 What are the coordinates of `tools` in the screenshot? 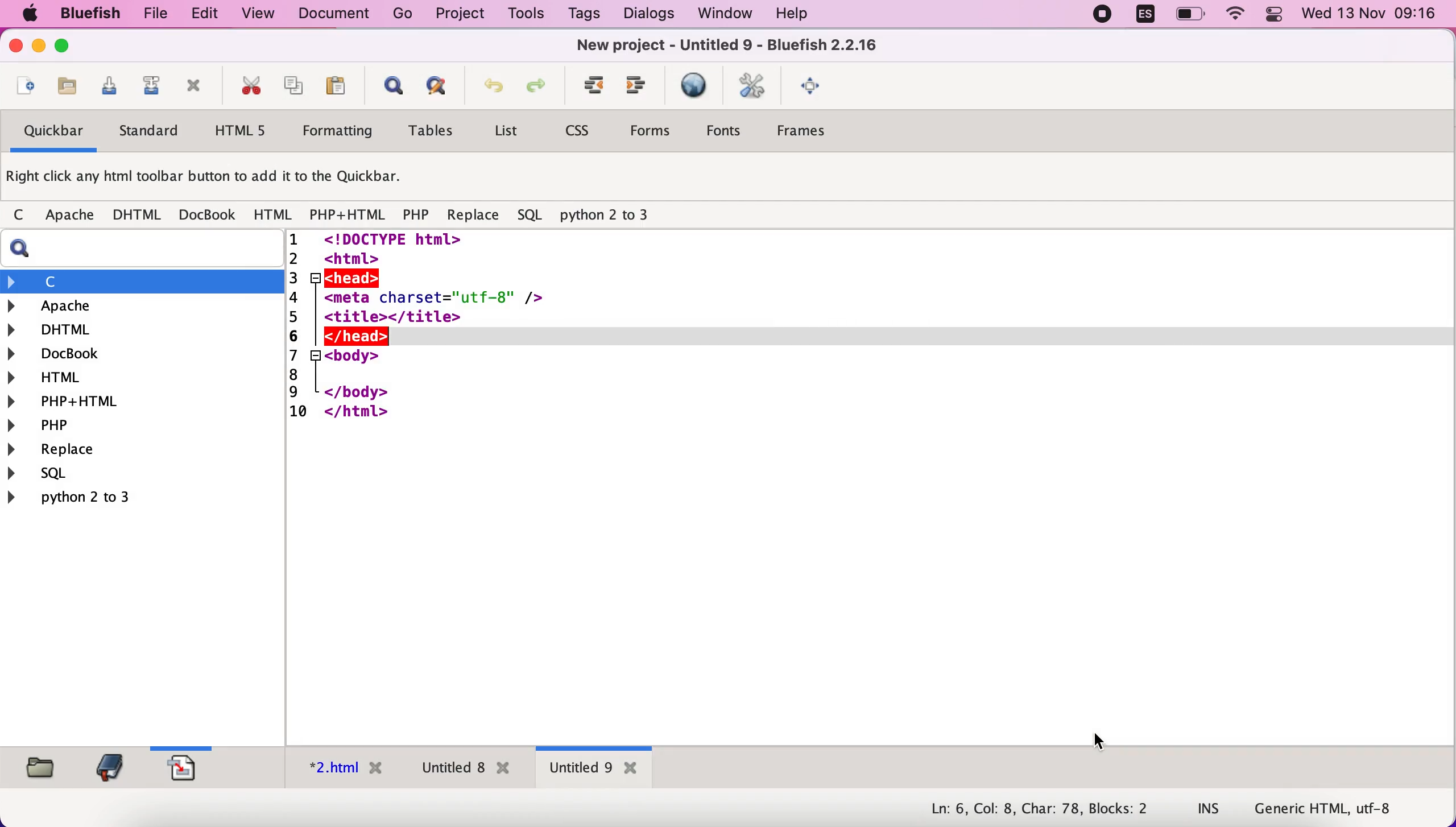 It's located at (523, 15).